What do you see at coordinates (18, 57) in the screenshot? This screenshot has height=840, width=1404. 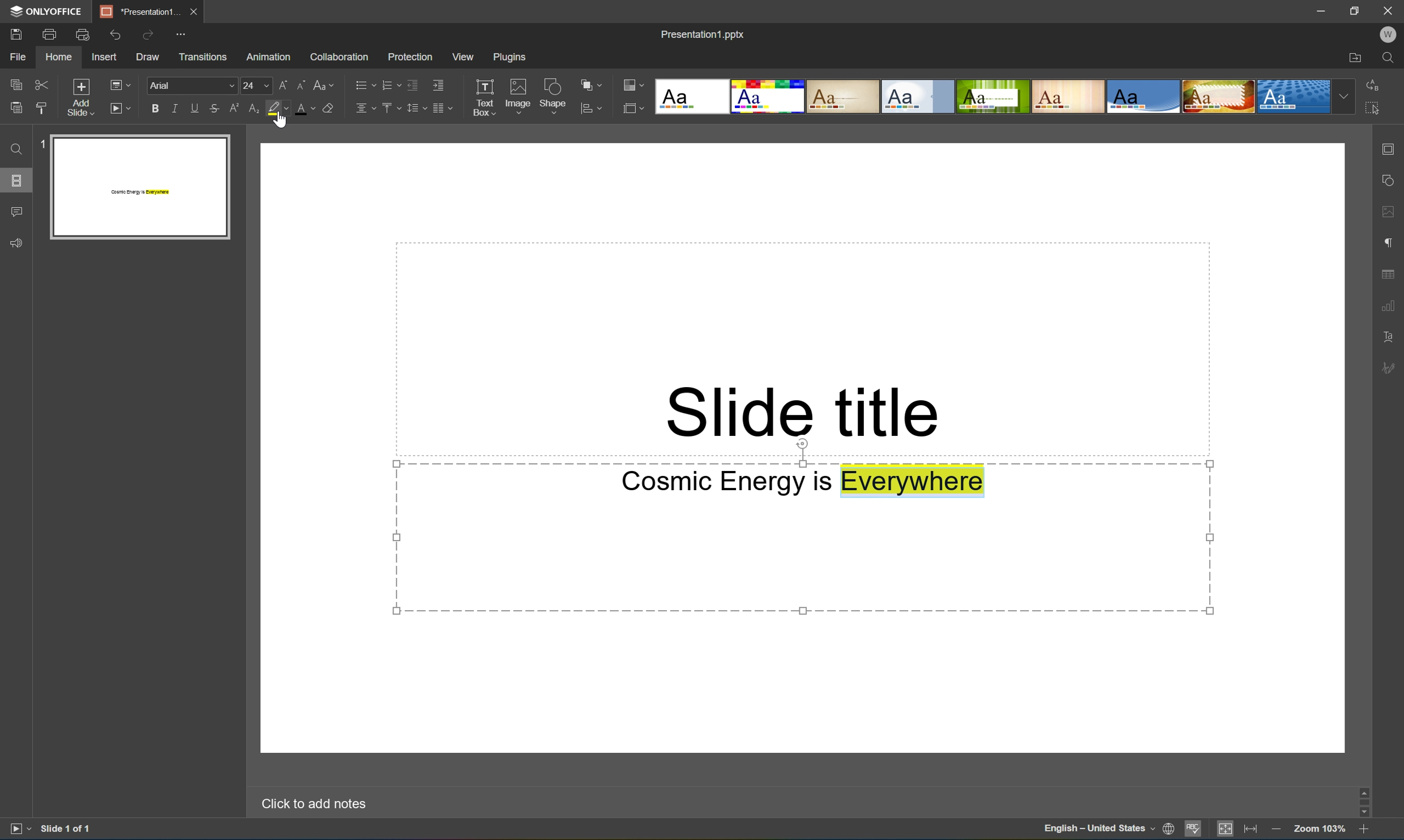 I see `File` at bounding box center [18, 57].